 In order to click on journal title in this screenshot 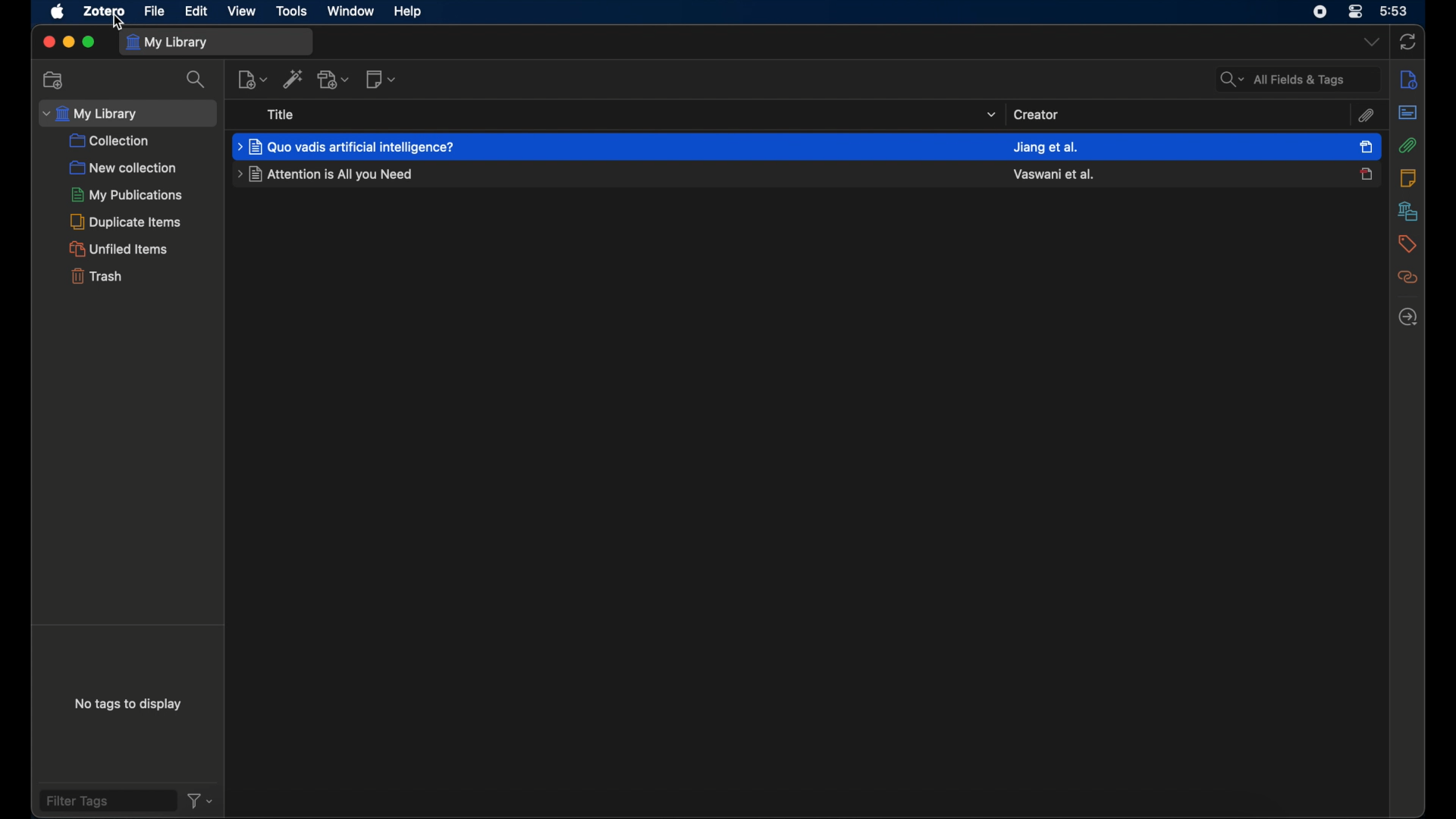, I will do `click(351, 146)`.